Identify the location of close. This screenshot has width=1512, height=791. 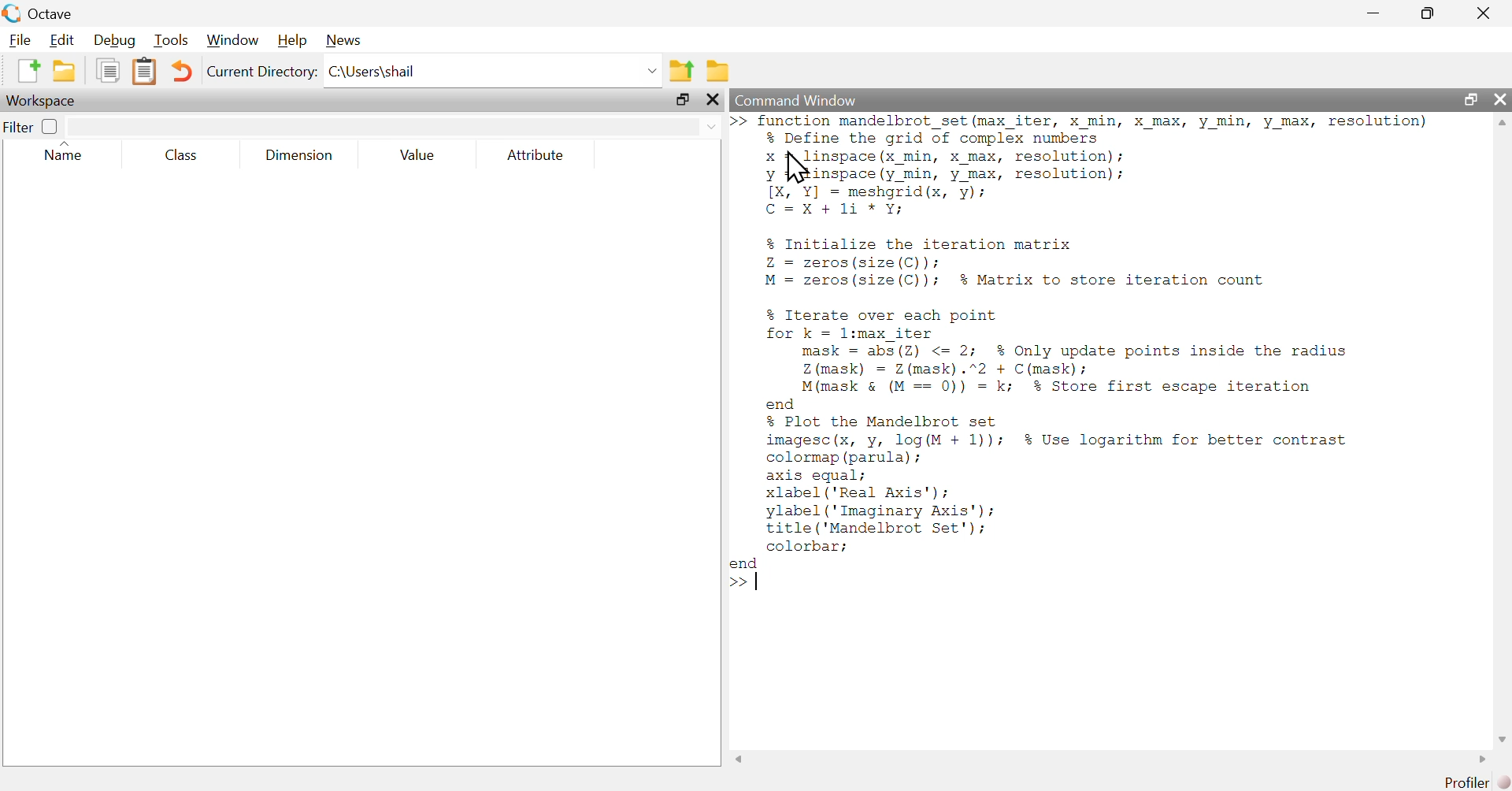
(1499, 101).